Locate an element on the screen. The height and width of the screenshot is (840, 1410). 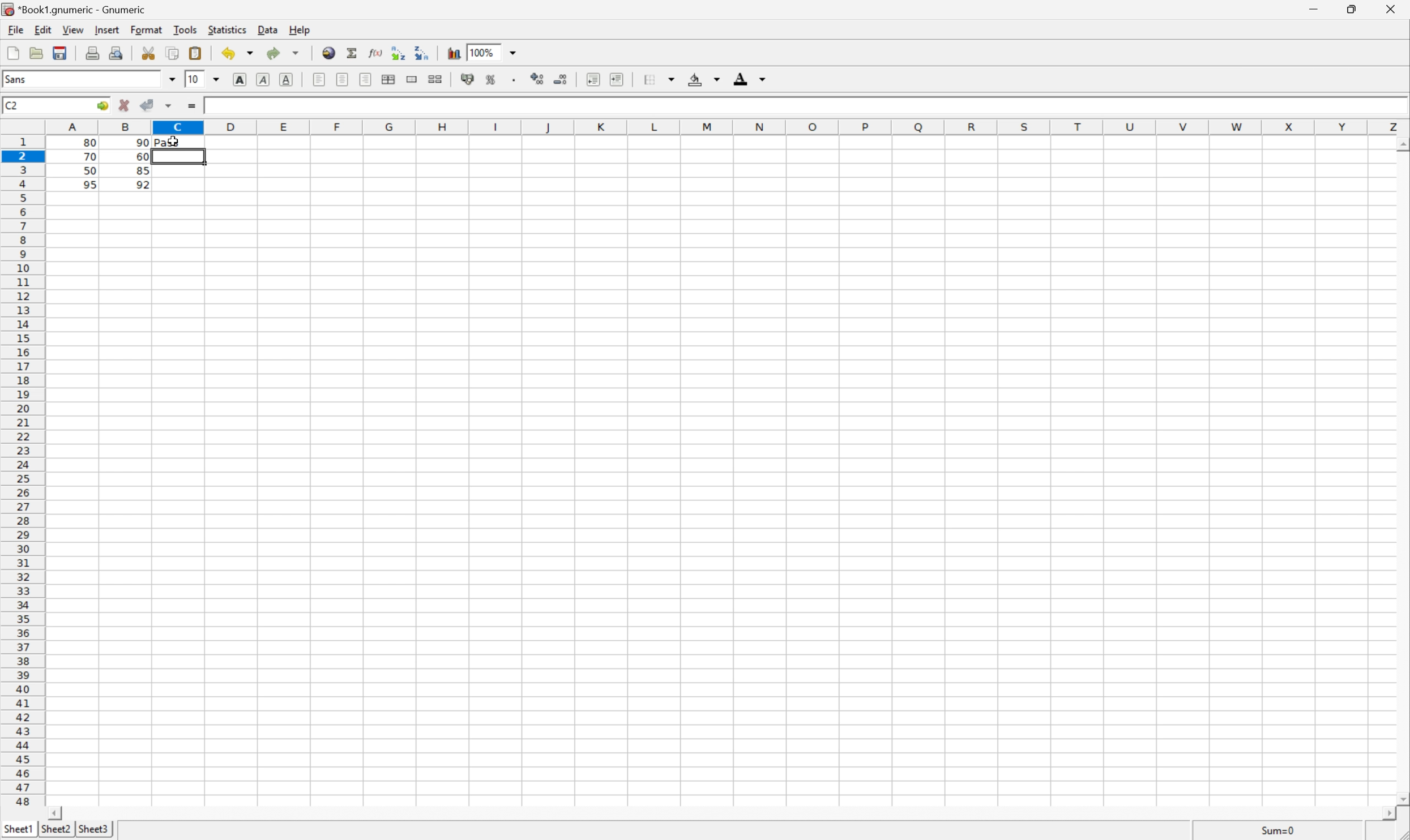
Cut the selection is located at coordinates (149, 52).